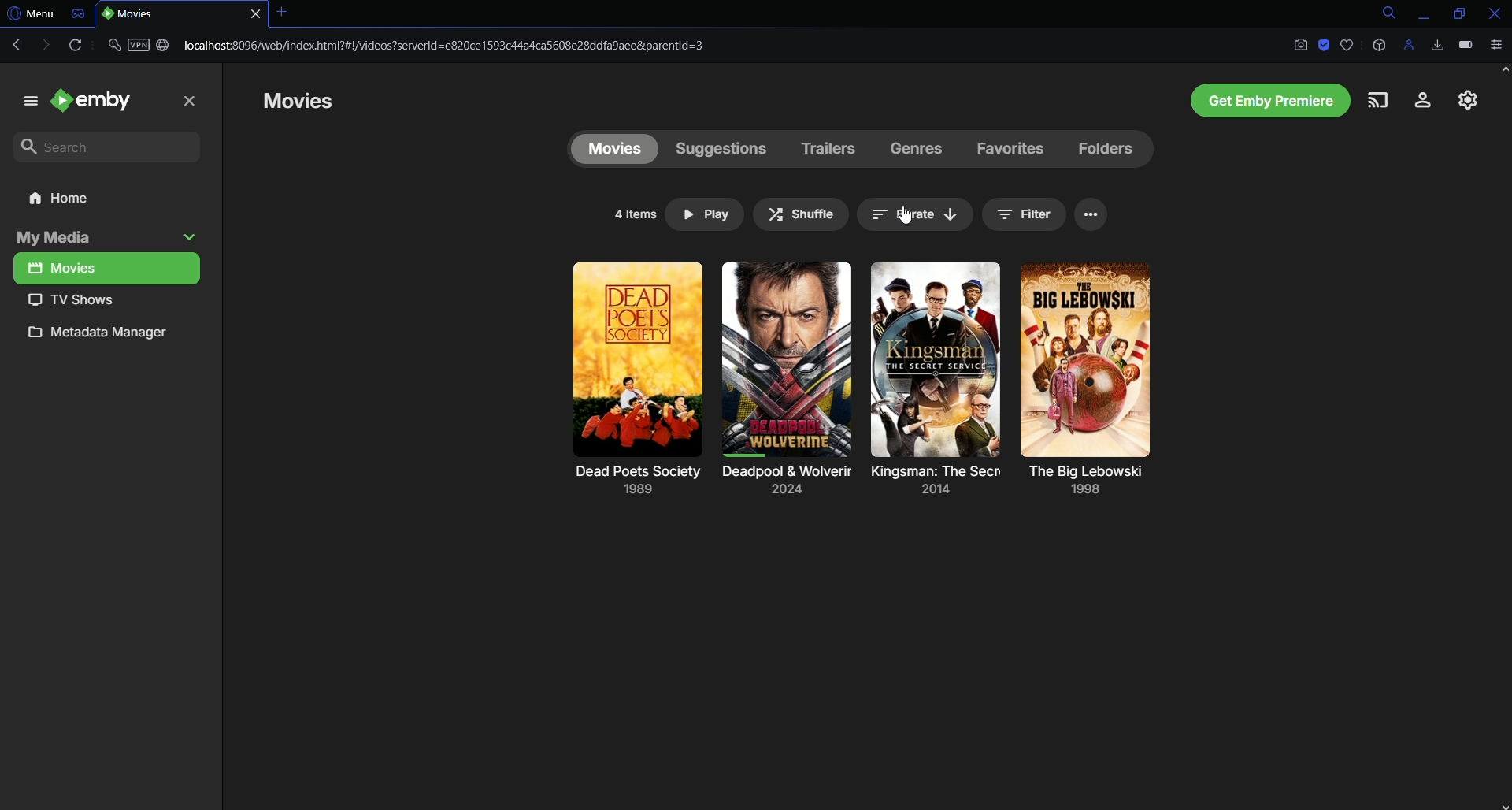  Describe the element at coordinates (1491, 13) in the screenshot. I see `Close` at that location.